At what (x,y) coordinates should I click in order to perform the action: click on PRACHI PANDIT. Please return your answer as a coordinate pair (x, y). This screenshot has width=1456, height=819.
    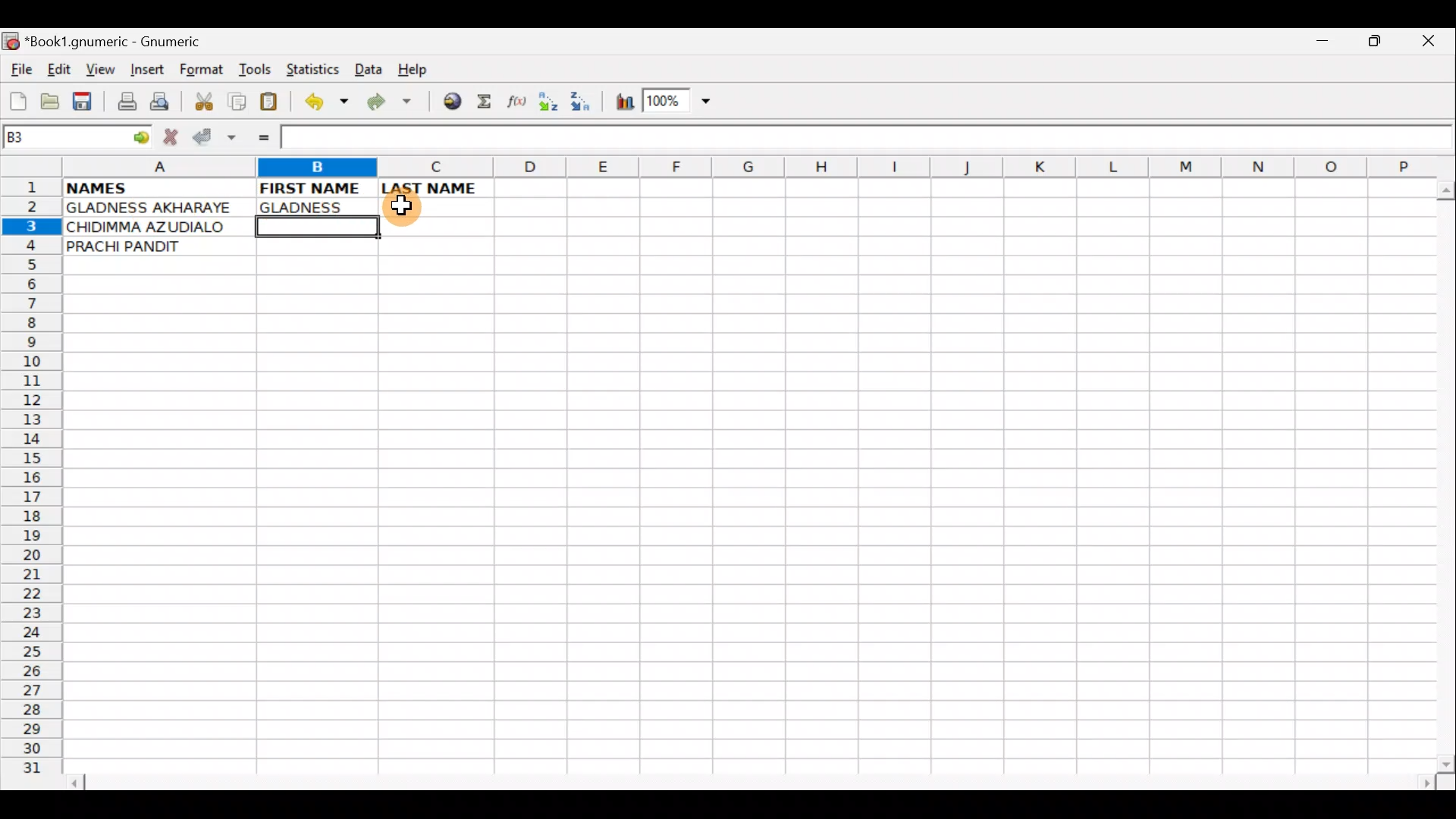
    Looking at the image, I should click on (153, 246).